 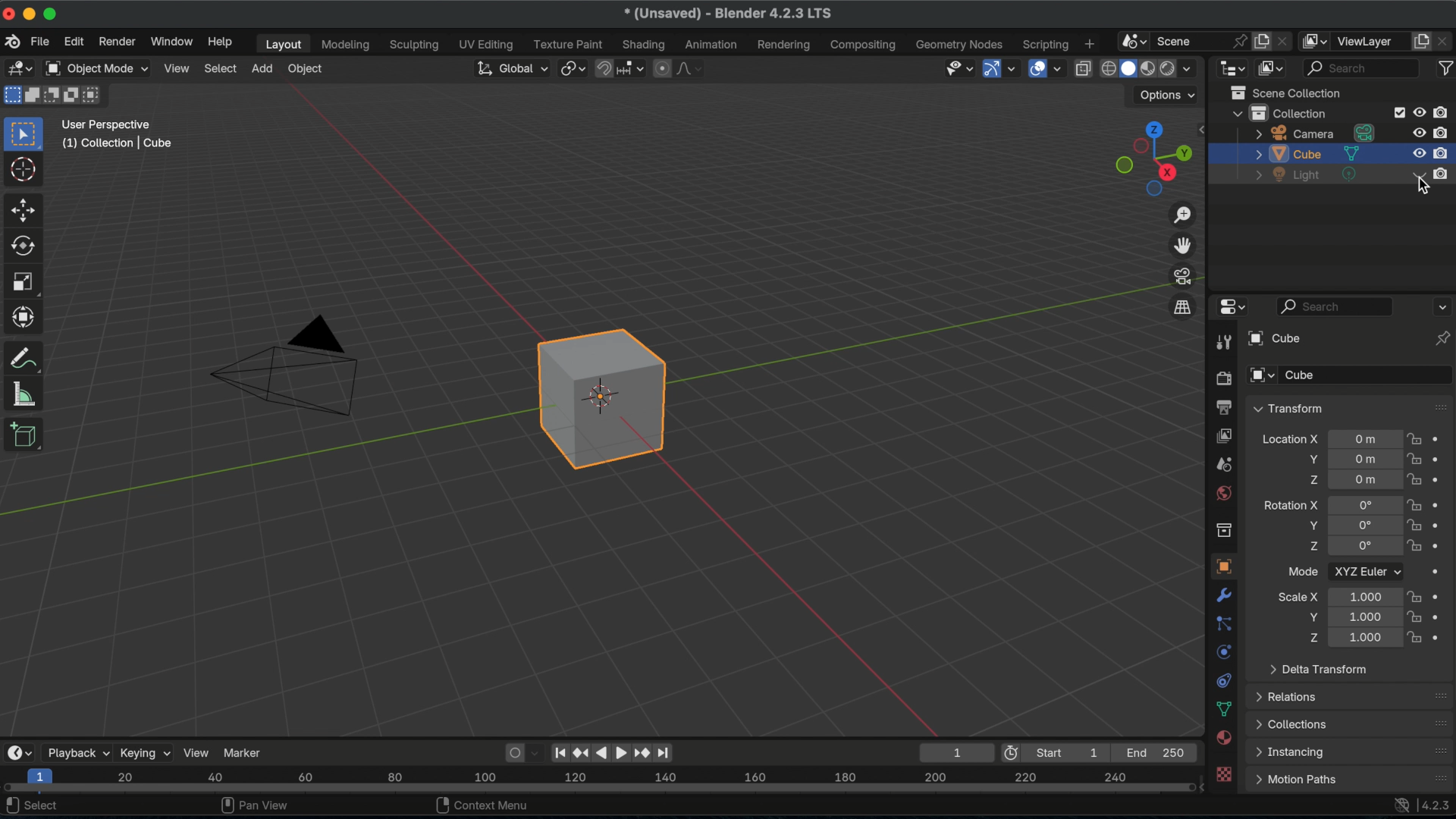 What do you see at coordinates (1279, 112) in the screenshot?
I see `collection` at bounding box center [1279, 112].